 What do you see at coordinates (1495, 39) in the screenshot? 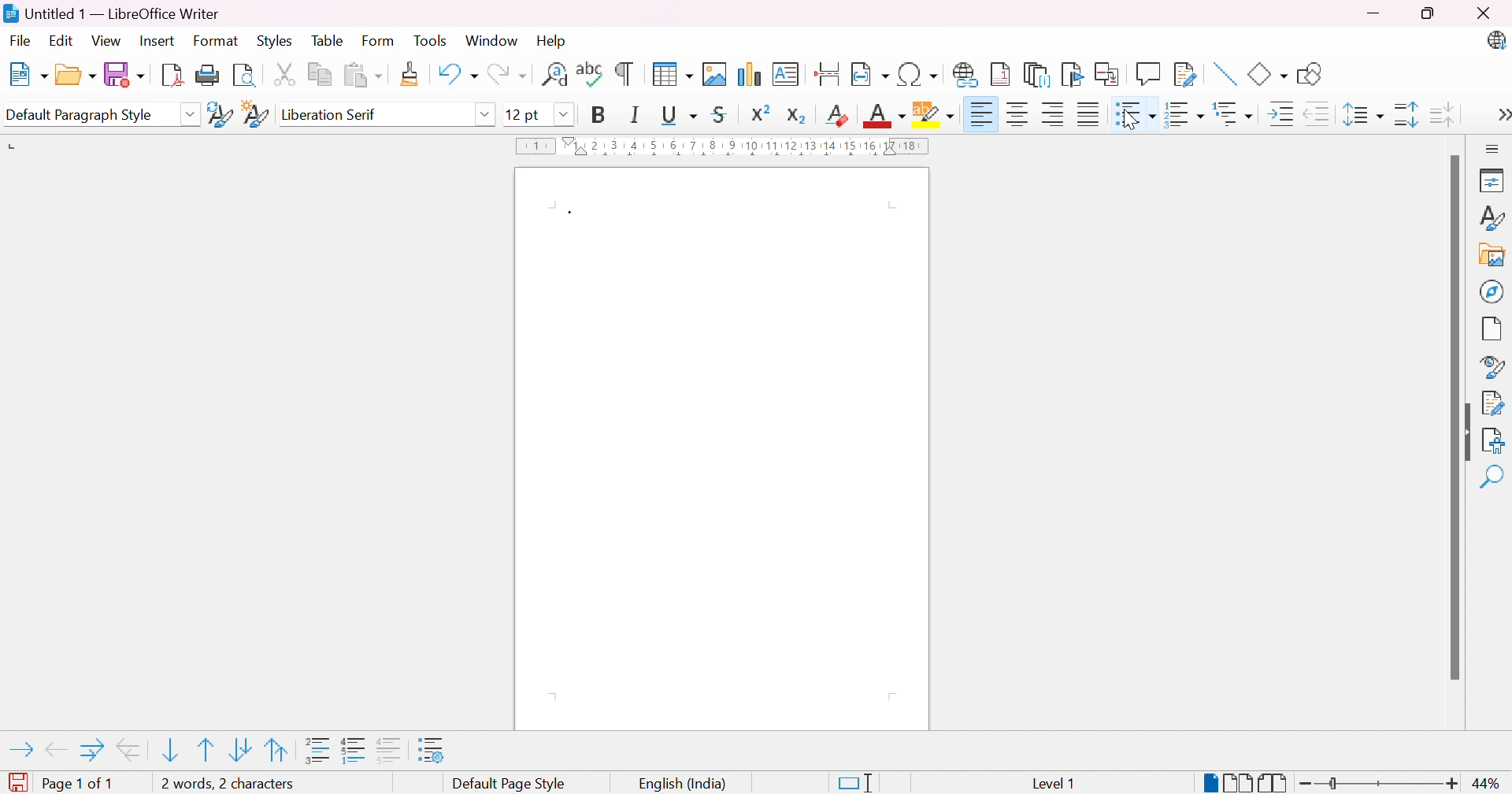
I see `LibreOffice update available` at bounding box center [1495, 39].